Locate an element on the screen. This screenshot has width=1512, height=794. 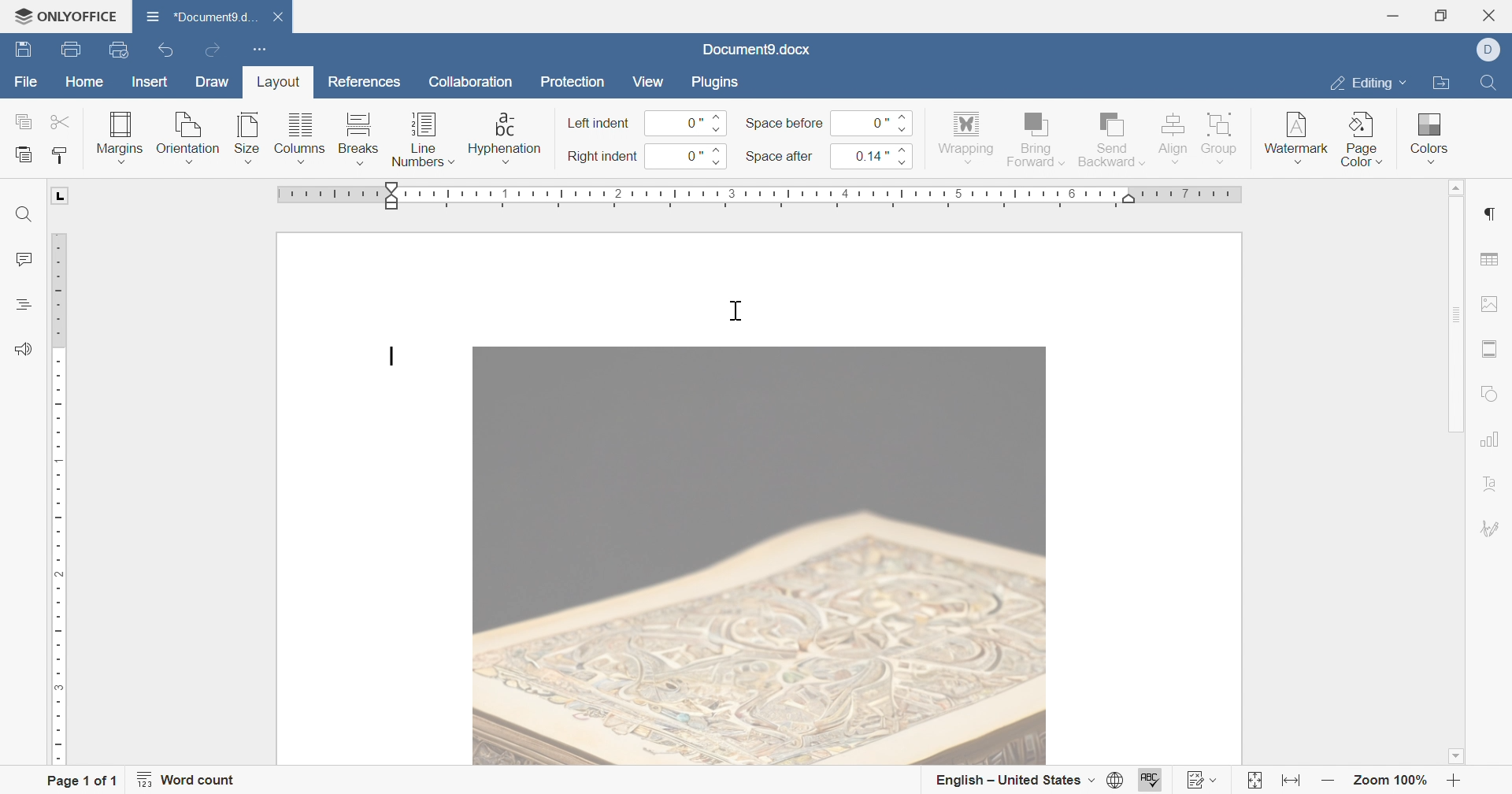
view is located at coordinates (647, 81).